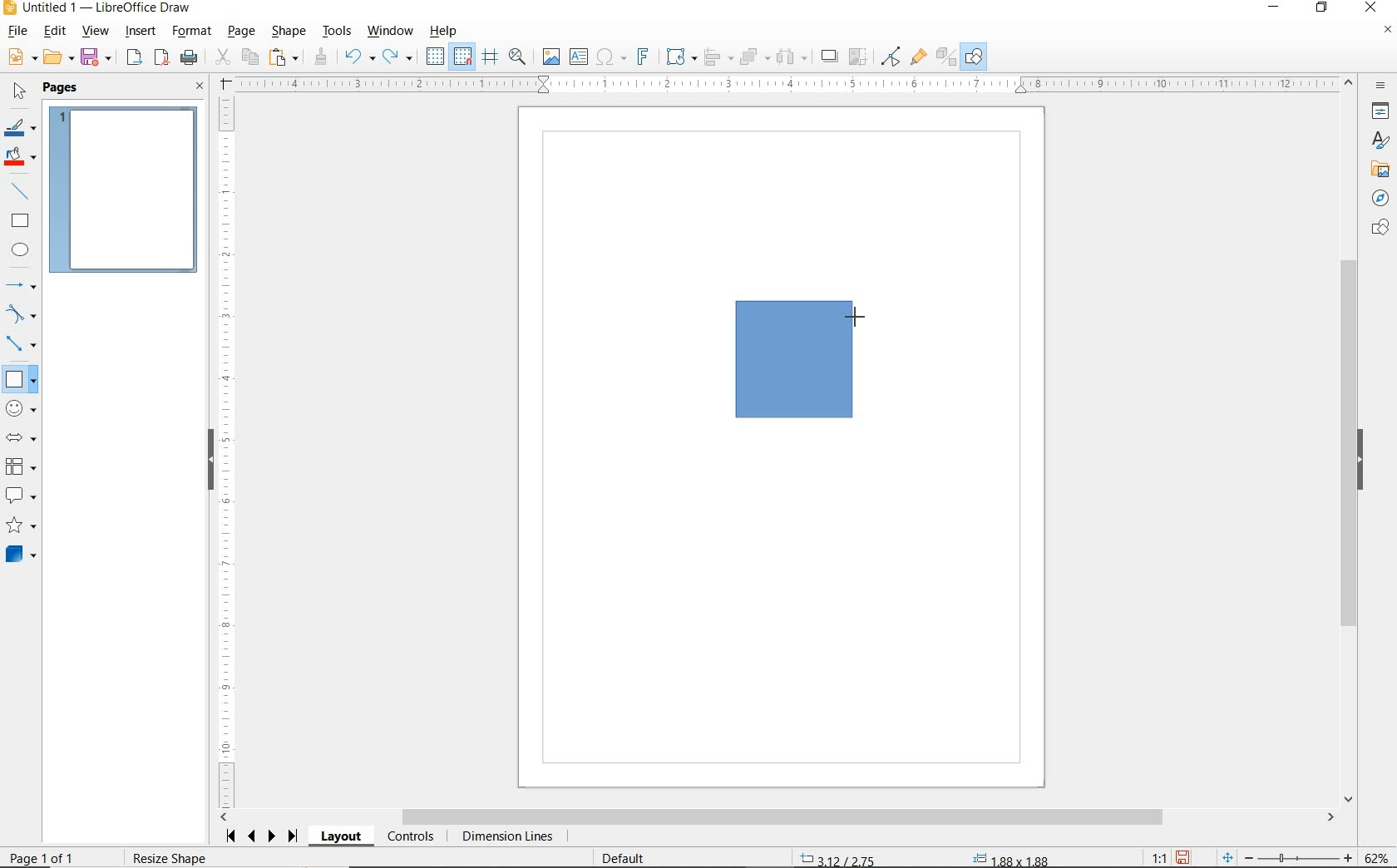  I want to click on DIMENSION LINES, so click(506, 837).